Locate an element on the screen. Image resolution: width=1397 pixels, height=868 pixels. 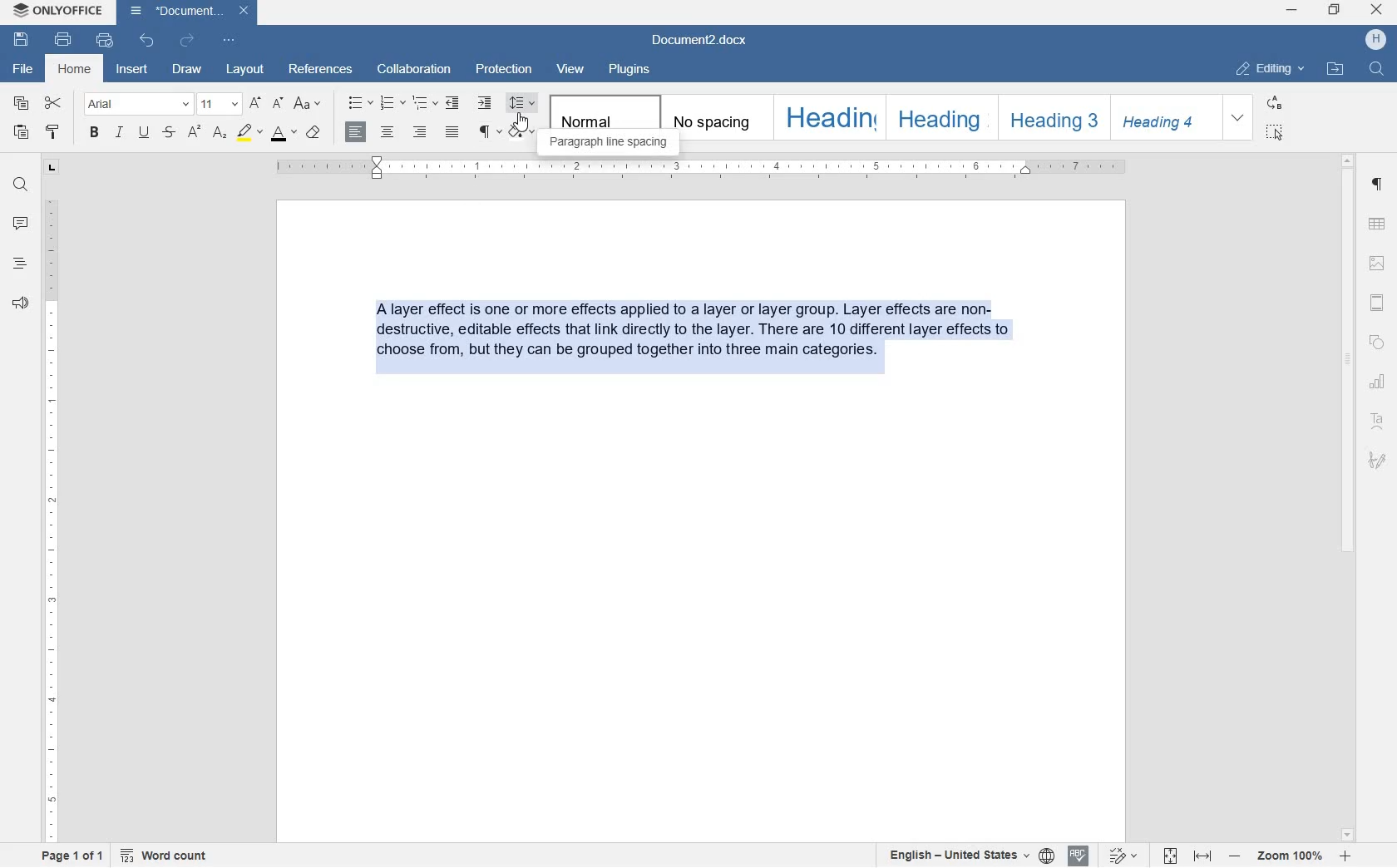
redo is located at coordinates (184, 42).